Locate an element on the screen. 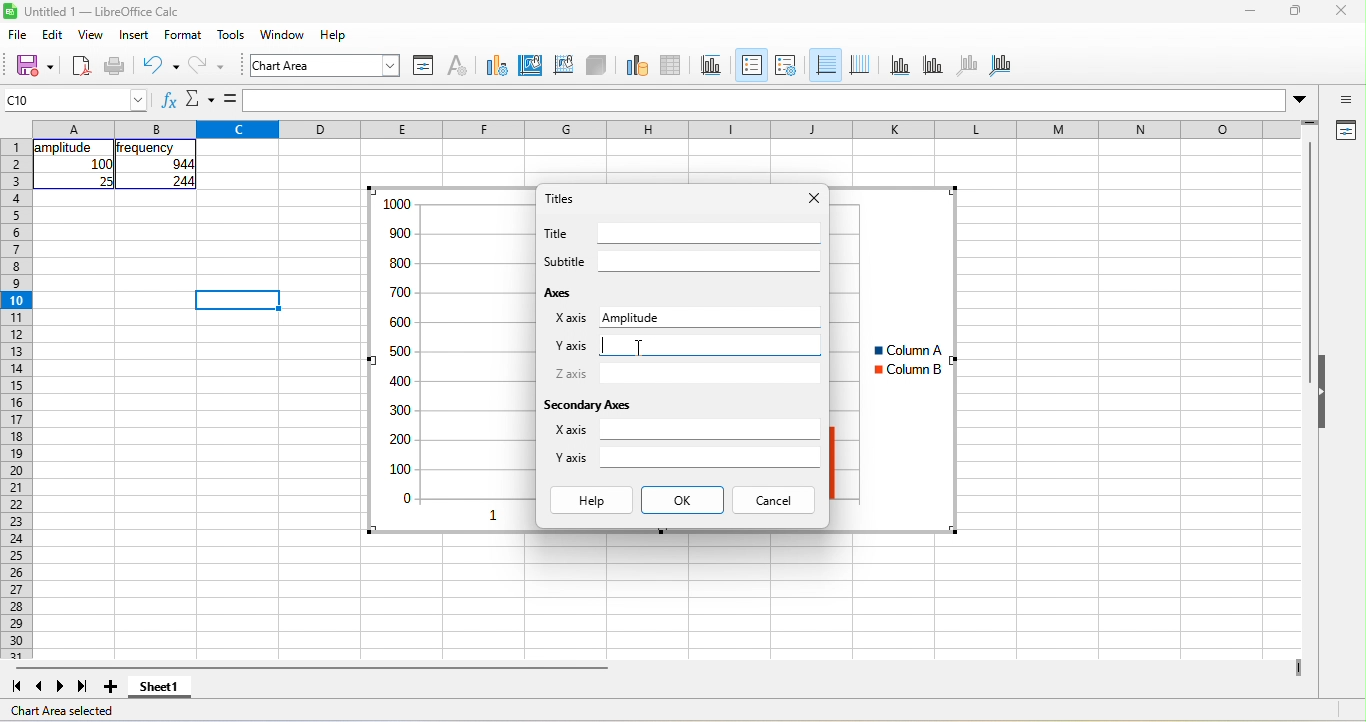 The height and width of the screenshot is (722, 1366). x axis is located at coordinates (900, 66).